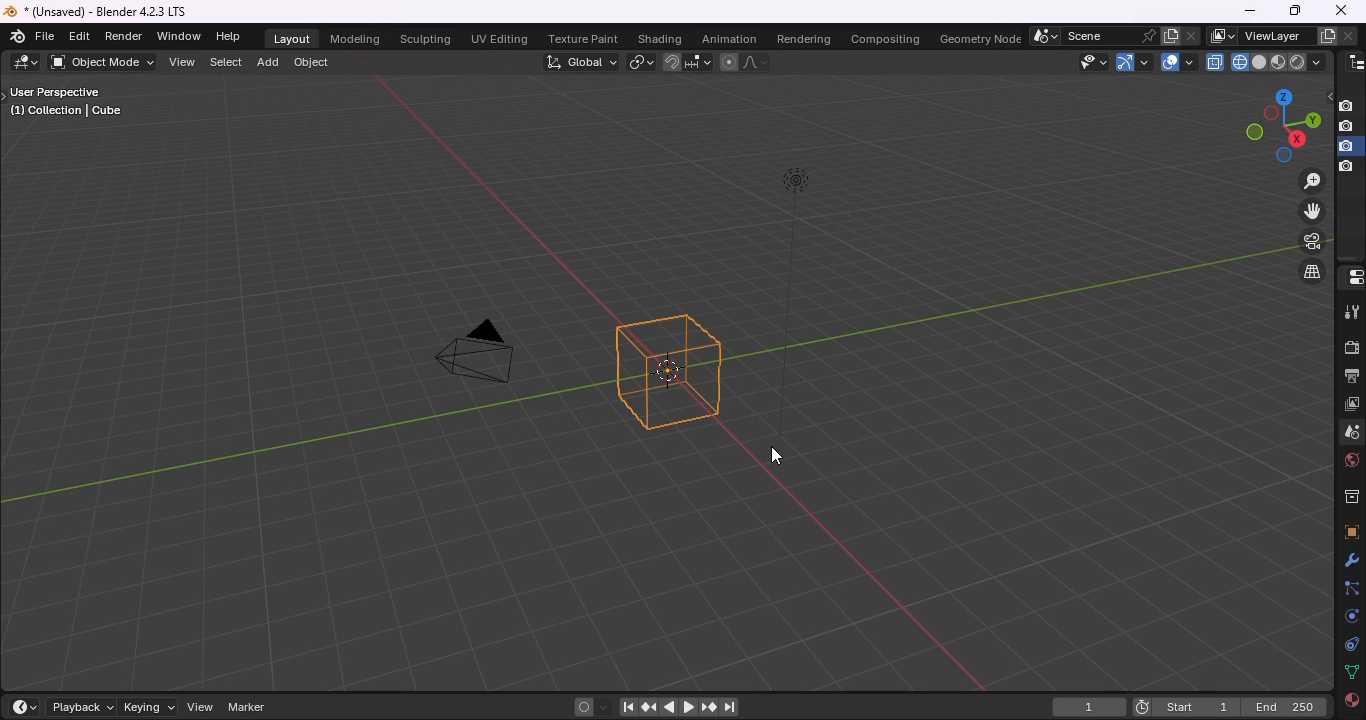 The width and height of the screenshot is (1366, 720). I want to click on jump to endpoint, so click(731, 708).